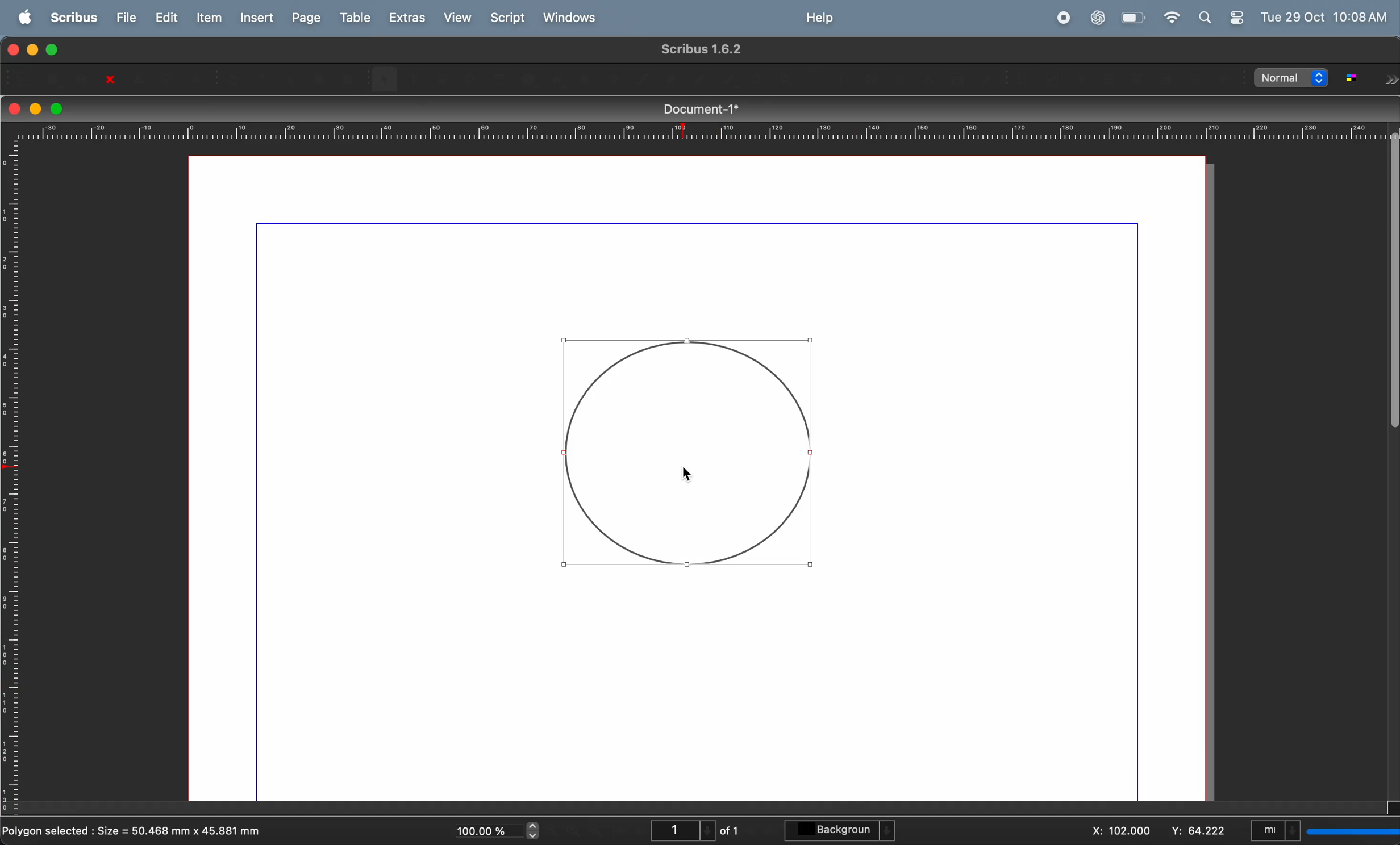  I want to click on apple widgets, so click(1223, 16).